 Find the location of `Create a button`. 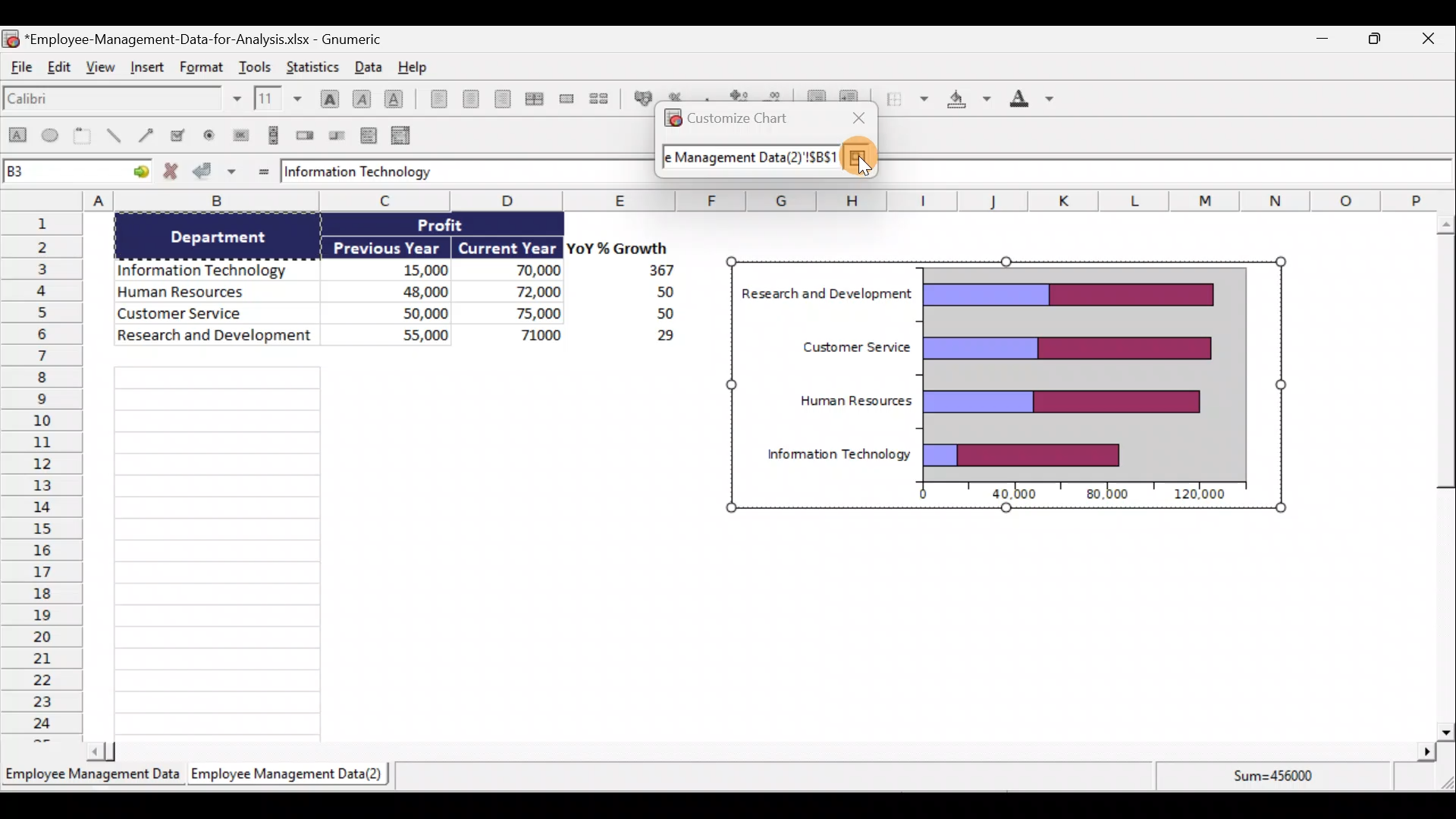

Create a button is located at coordinates (240, 133).